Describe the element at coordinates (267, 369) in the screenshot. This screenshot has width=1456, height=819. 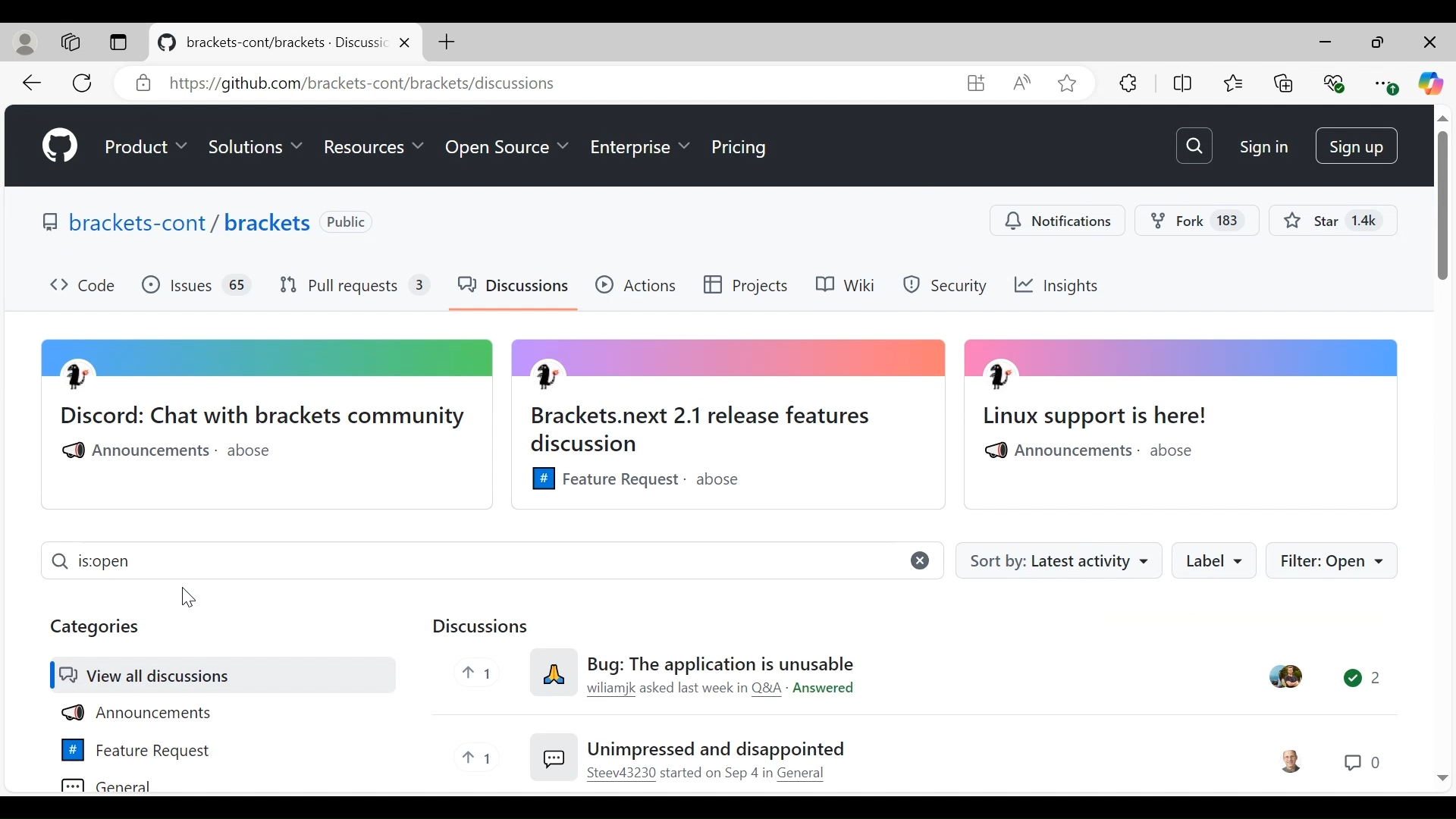
I see `Avatar` at that location.